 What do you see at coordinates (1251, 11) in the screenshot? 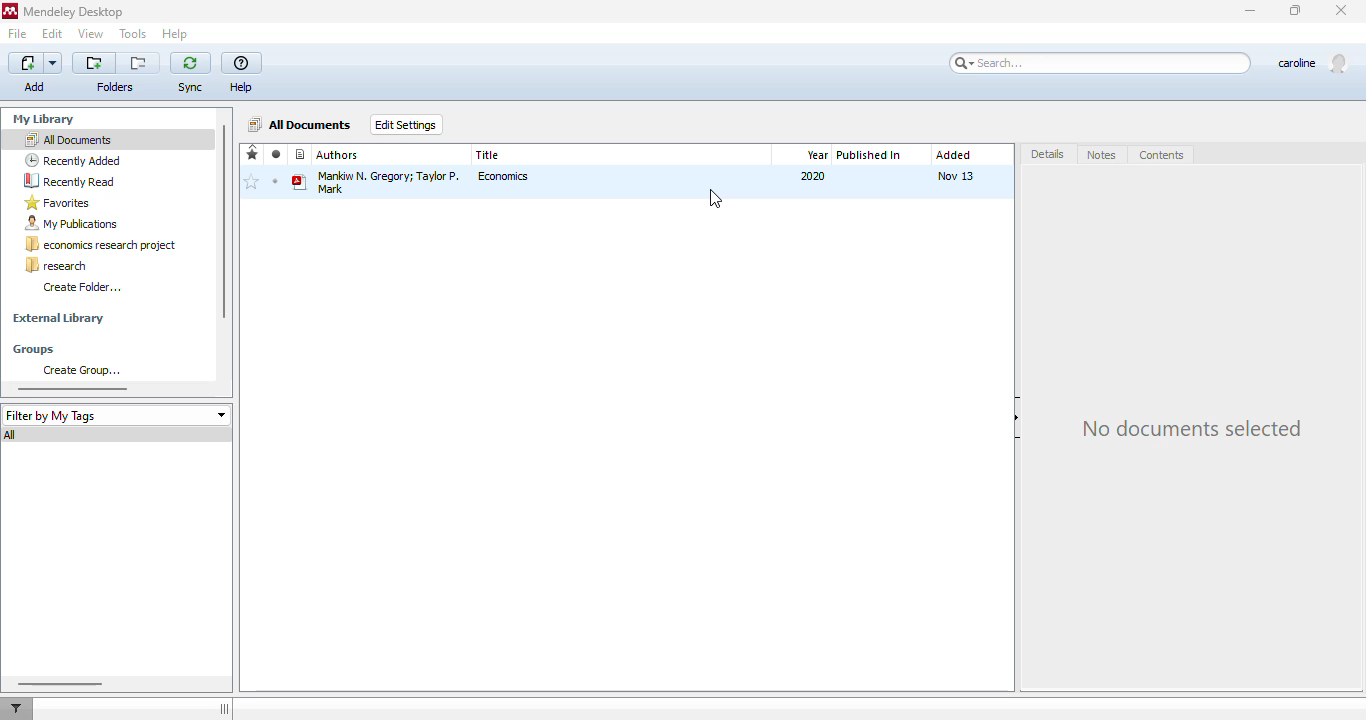
I see `minimize` at bounding box center [1251, 11].